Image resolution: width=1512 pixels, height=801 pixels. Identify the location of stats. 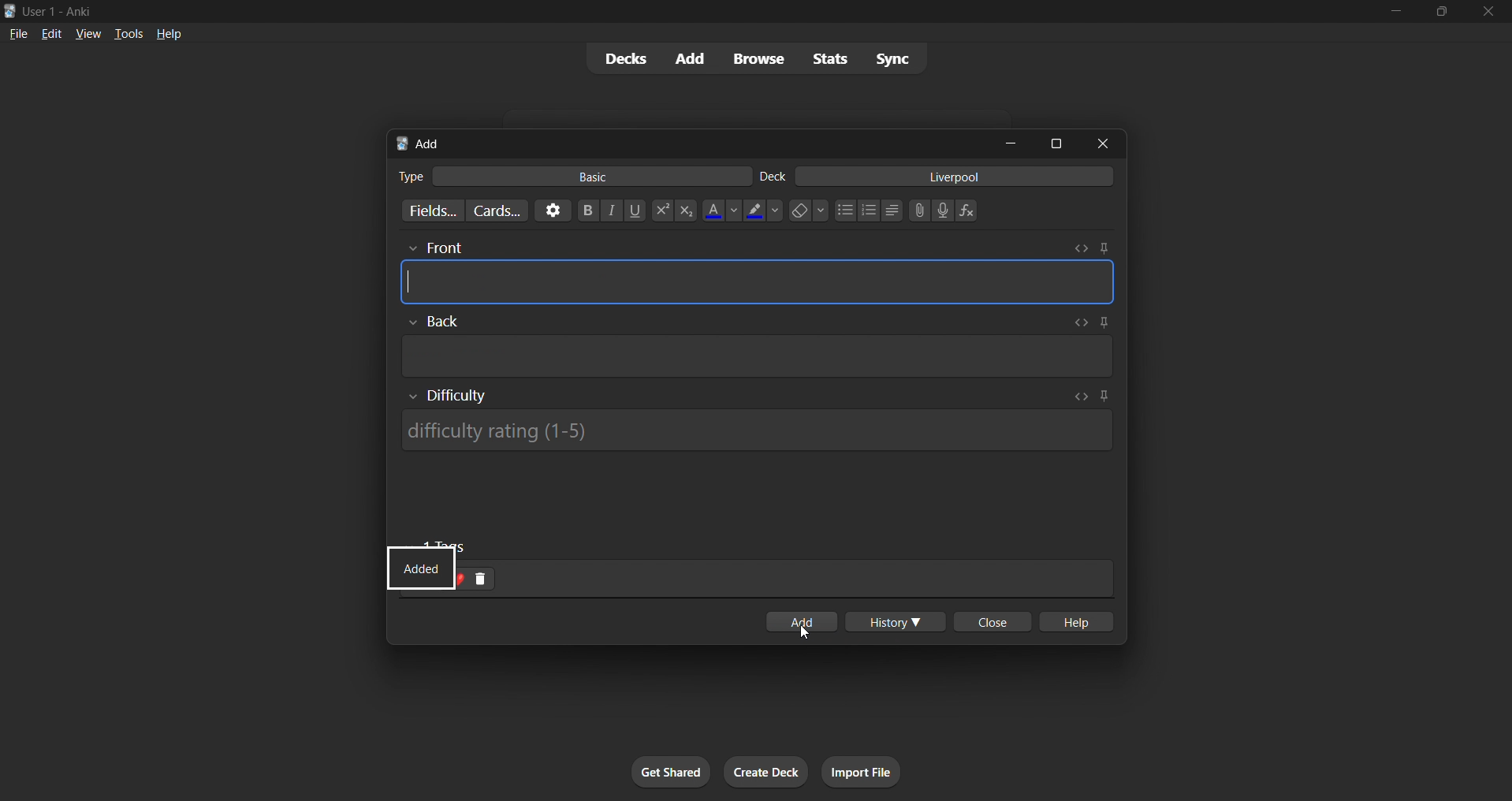
(832, 59).